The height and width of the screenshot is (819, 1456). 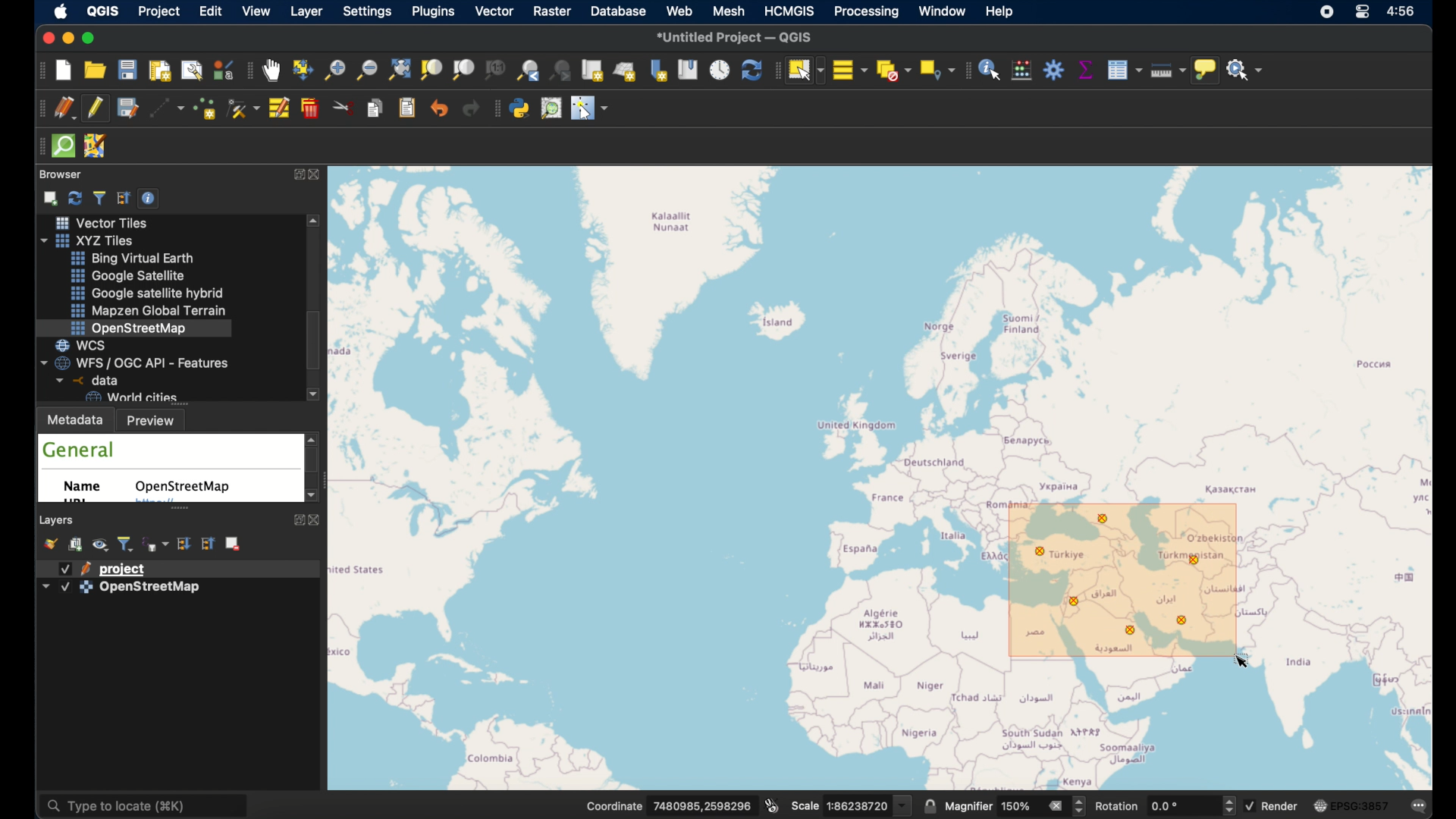 I want to click on zoom out, so click(x=366, y=69).